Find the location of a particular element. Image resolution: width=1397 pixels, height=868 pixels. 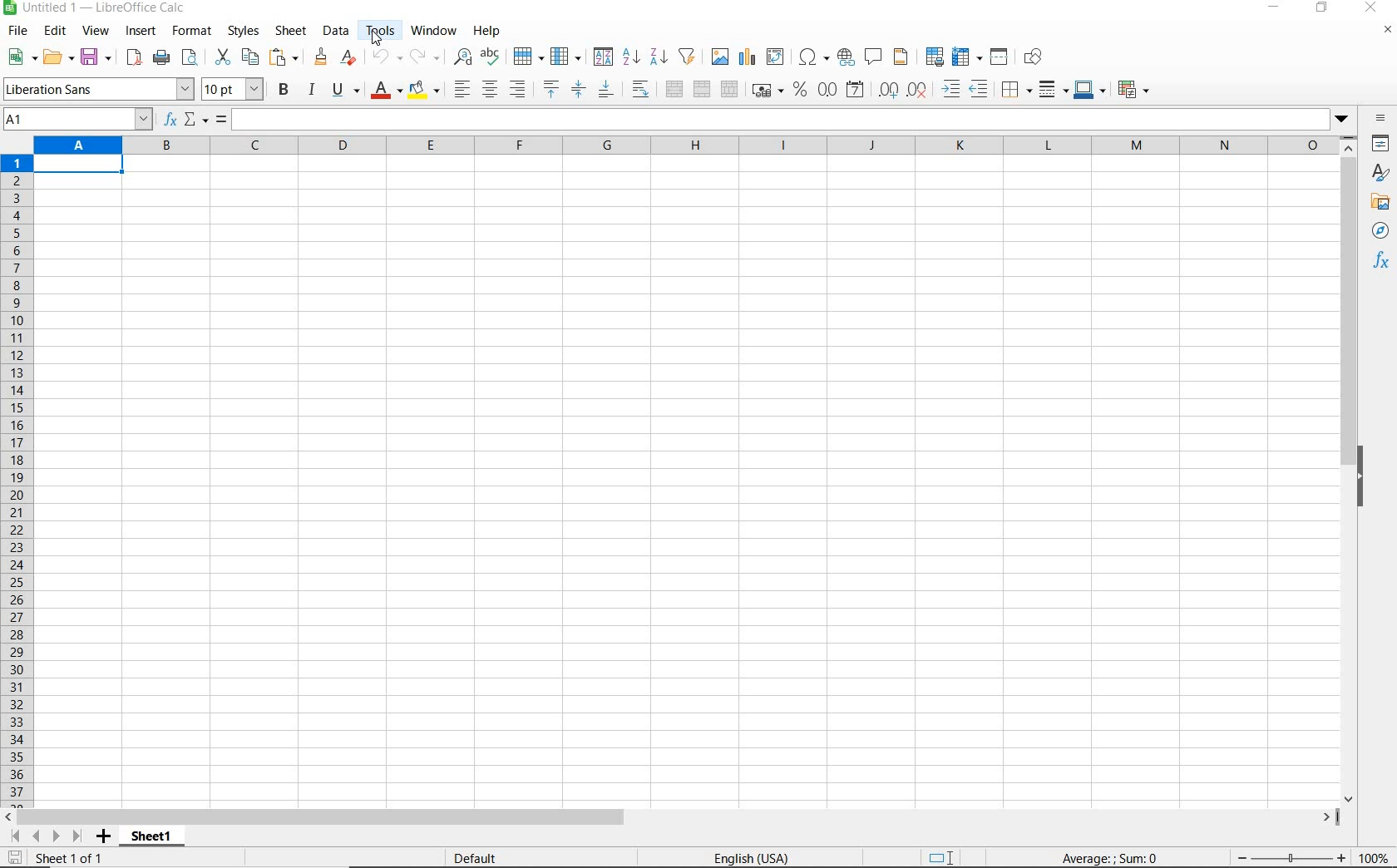

styles is located at coordinates (243, 30).